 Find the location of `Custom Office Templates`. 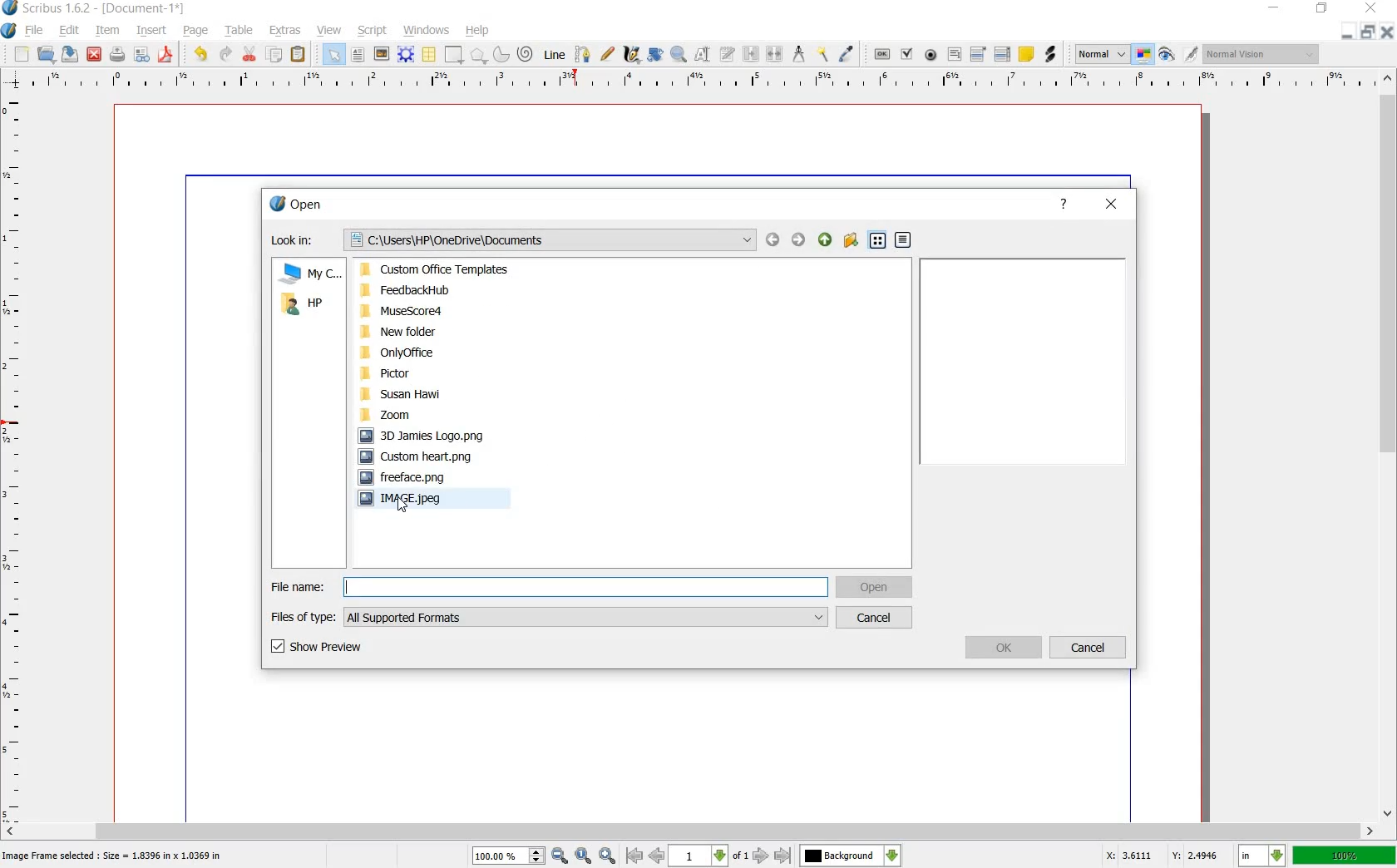

Custom Office Templates is located at coordinates (432, 267).